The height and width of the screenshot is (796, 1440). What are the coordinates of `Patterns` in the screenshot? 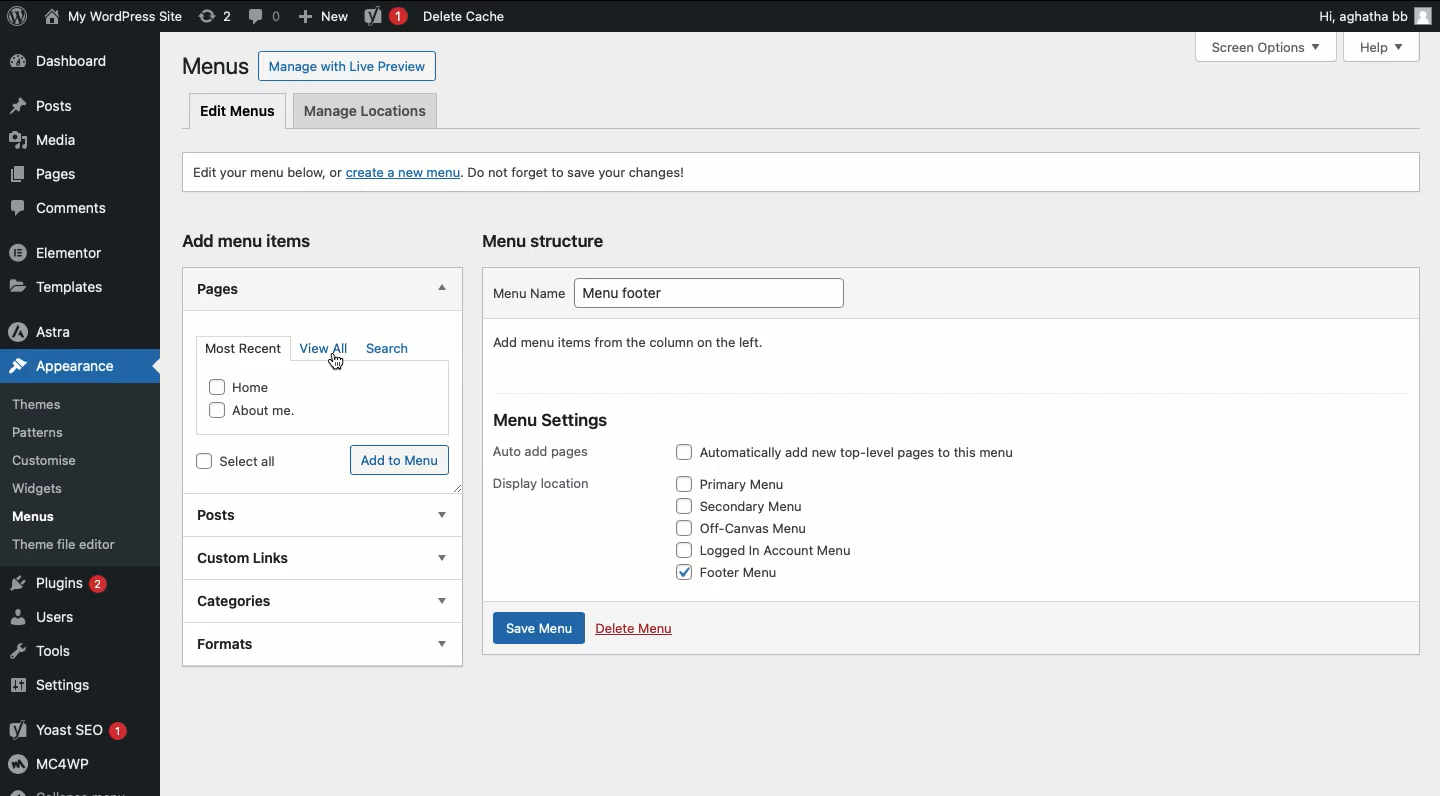 It's located at (54, 429).